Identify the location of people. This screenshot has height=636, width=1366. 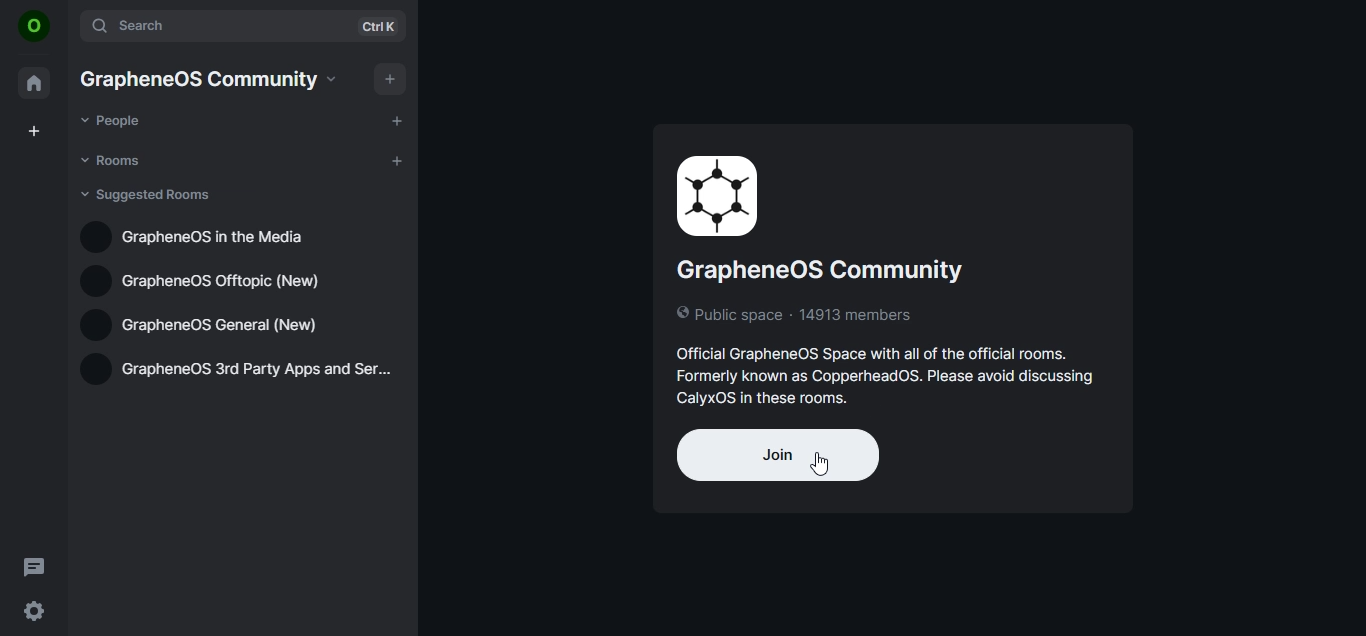
(115, 121).